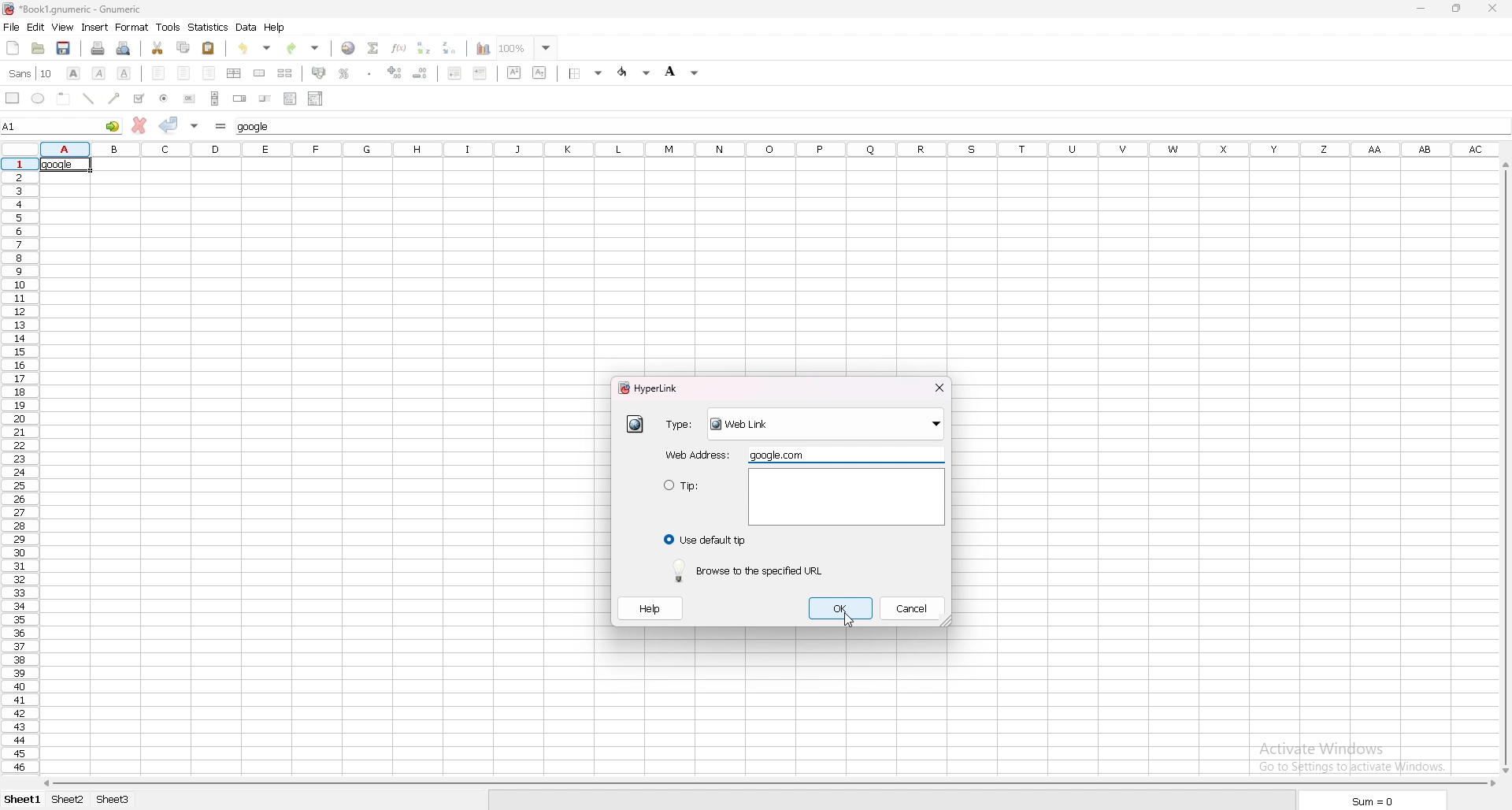 The width and height of the screenshot is (1512, 810). Describe the element at coordinates (215, 98) in the screenshot. I see `scroll bar` at that location.